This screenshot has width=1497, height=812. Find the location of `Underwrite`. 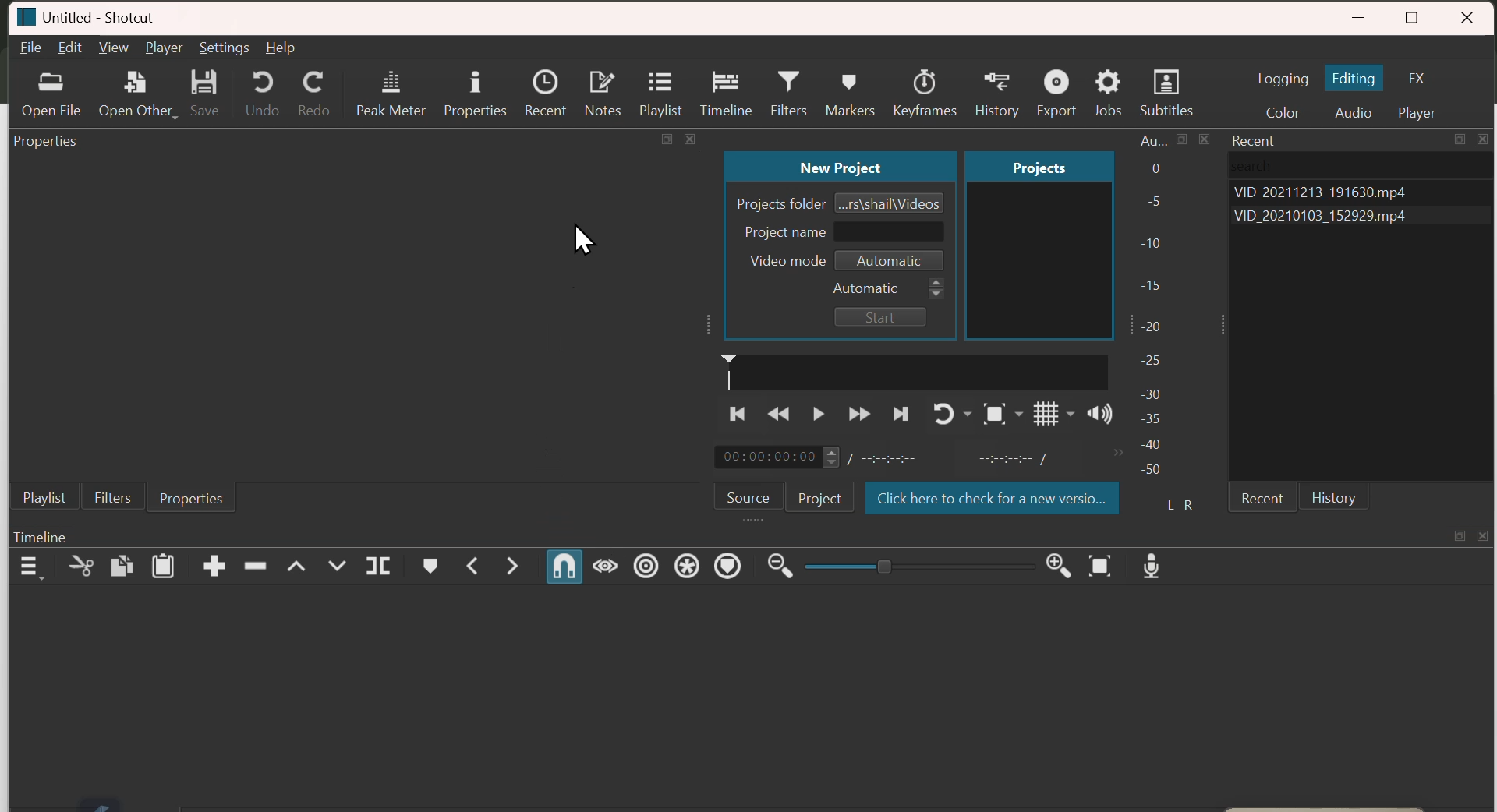

Underwrite is located at coordinates (337, 564).